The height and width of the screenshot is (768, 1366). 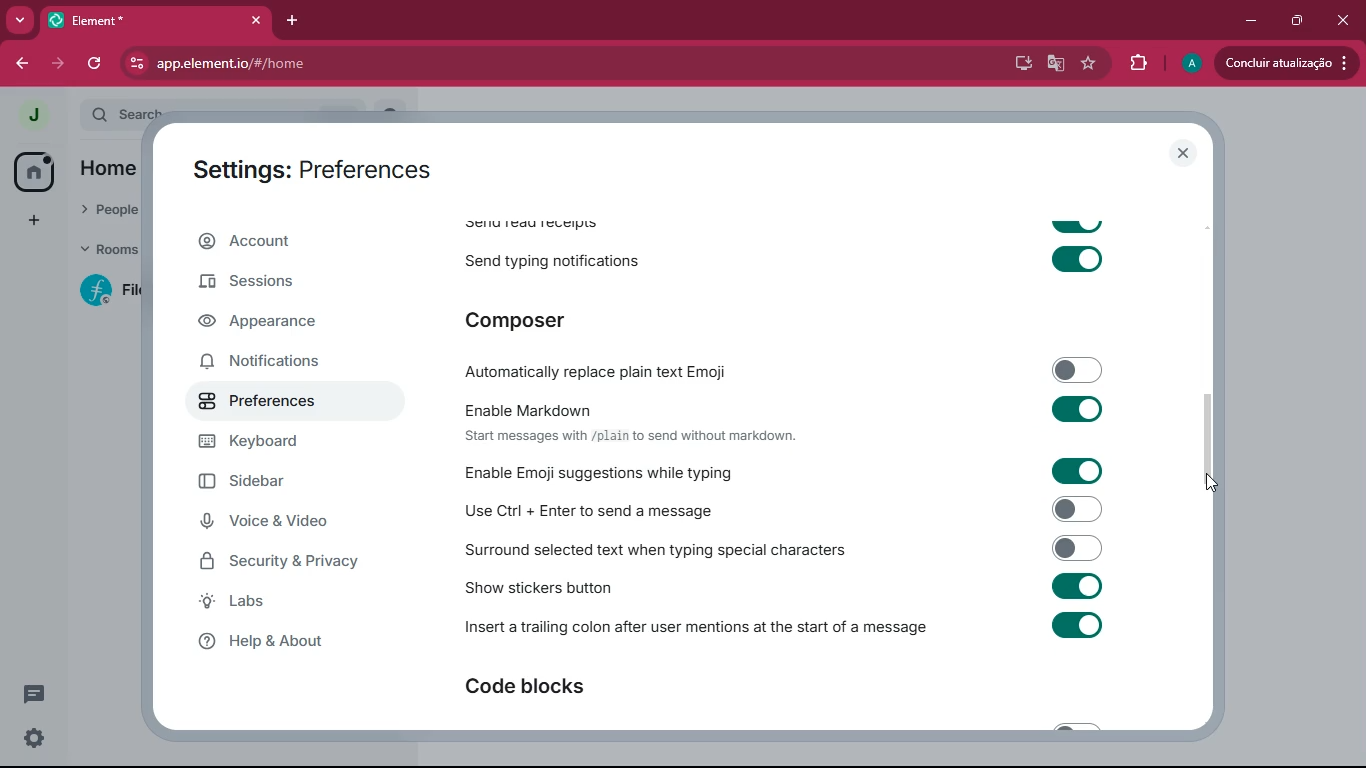 What do you see at coordinates (797, 474) in the screenshot?
I see `enable emoji` at bounding box center [797, 474].